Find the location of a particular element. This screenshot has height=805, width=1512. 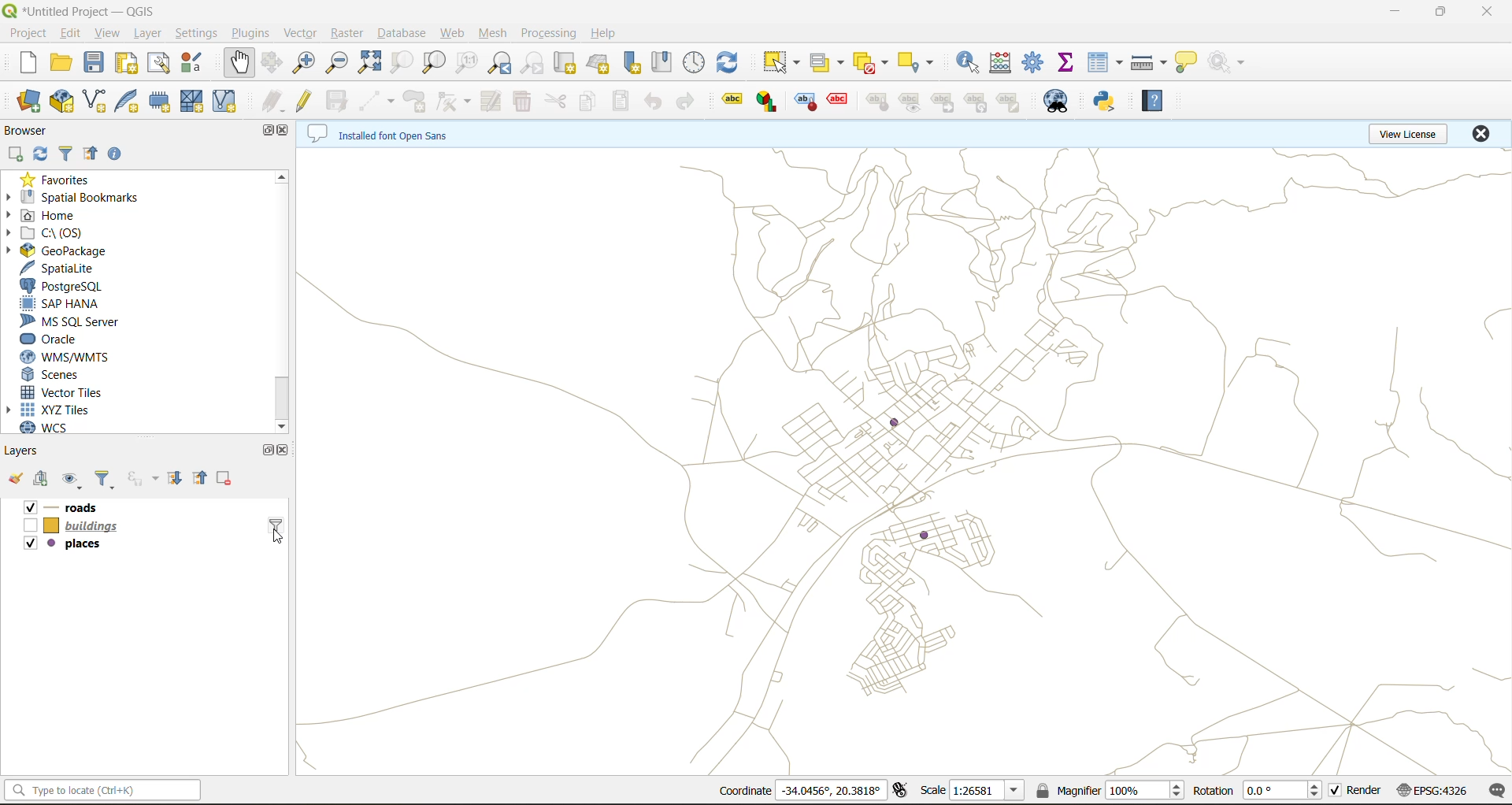

new virtual layer is located at coordinates (225, 103).